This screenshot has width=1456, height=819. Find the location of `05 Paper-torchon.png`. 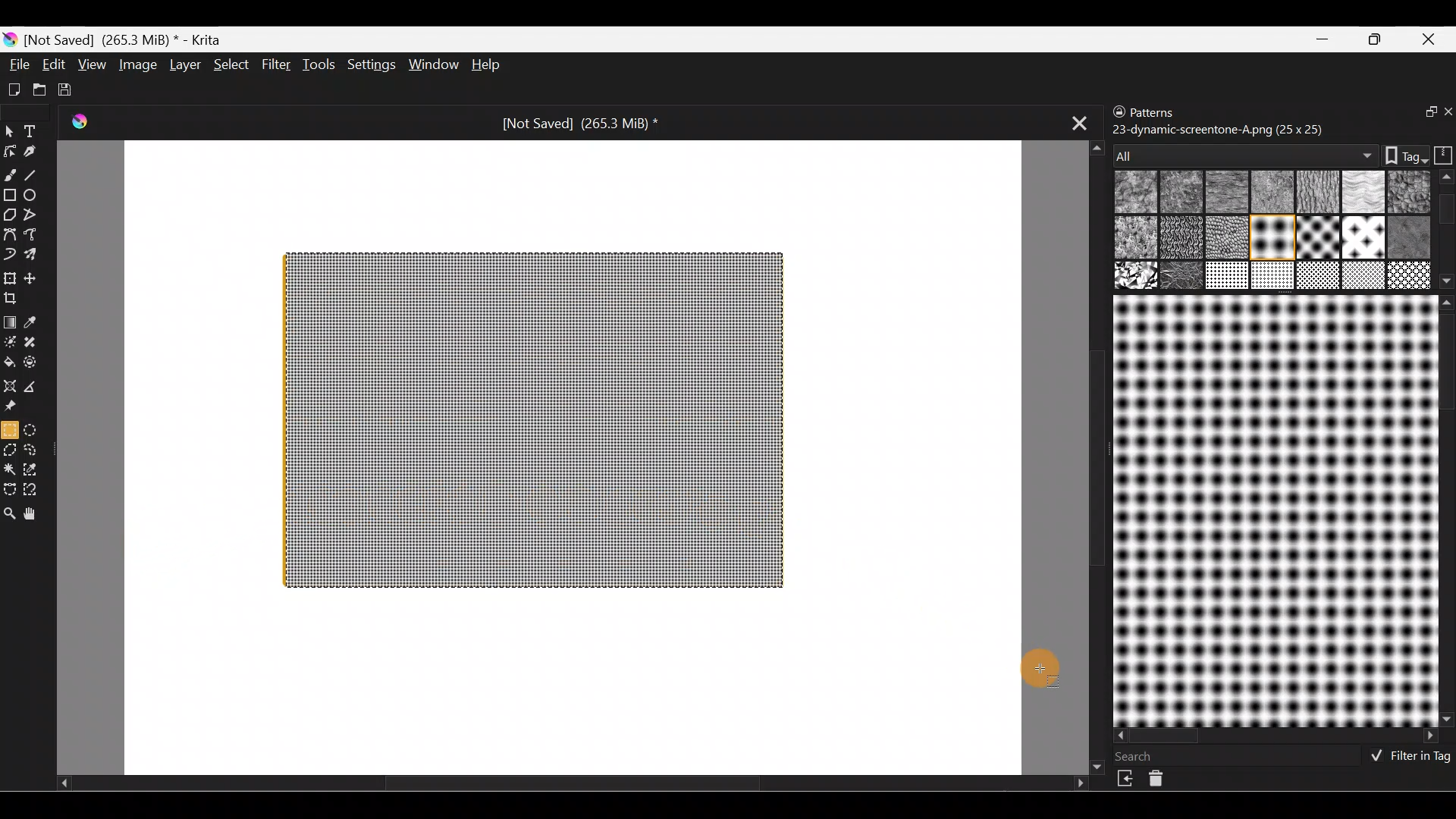

05 Paper-torchon.png is located at coordinates (1360, 193).